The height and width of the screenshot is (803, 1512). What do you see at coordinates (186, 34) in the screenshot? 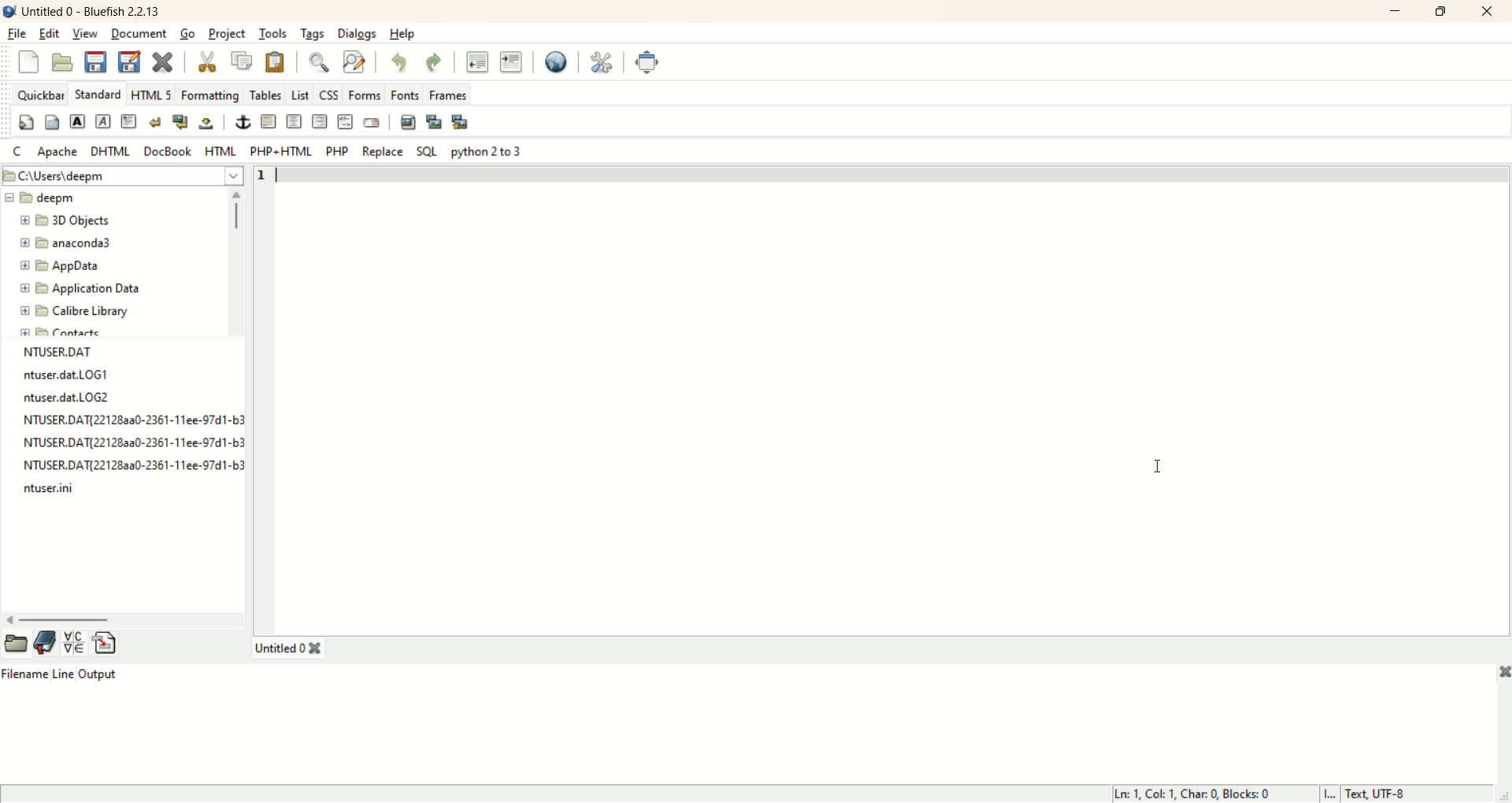
I see `go` at bounding box center [186, 34].